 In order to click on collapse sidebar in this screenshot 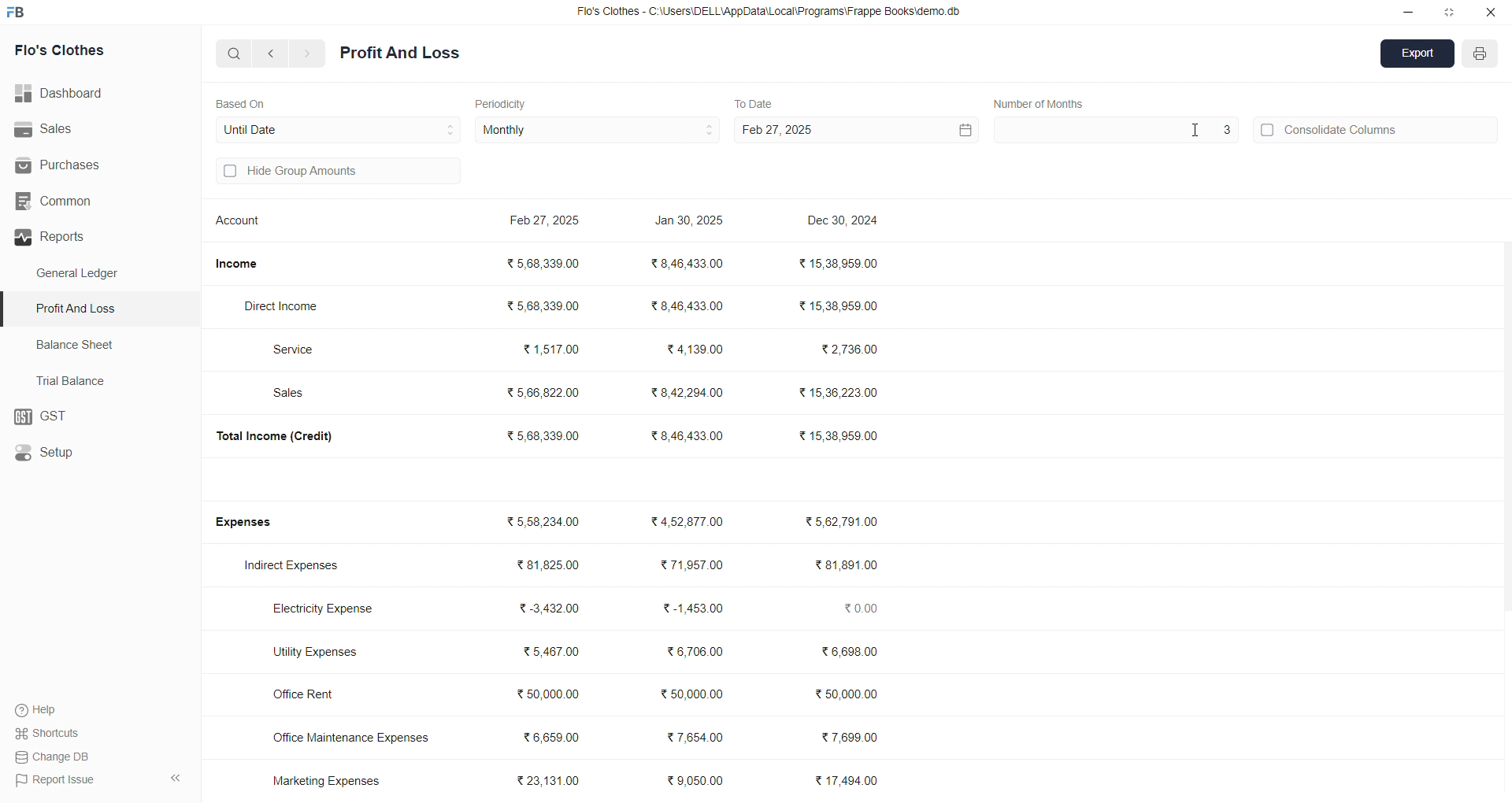, I will do `click(175, 779)`.